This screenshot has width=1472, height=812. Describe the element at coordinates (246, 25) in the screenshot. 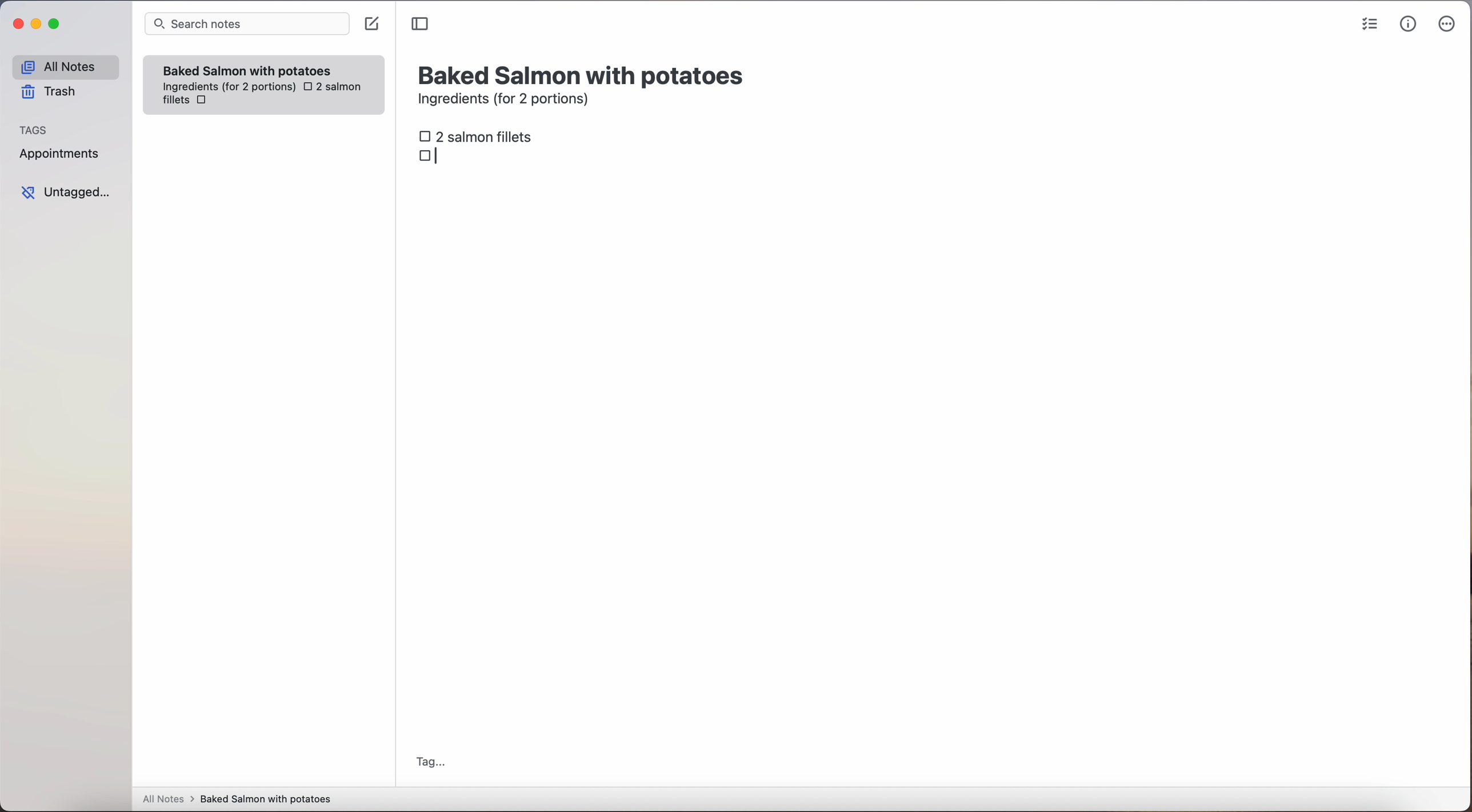

I see `search bar` at that location.